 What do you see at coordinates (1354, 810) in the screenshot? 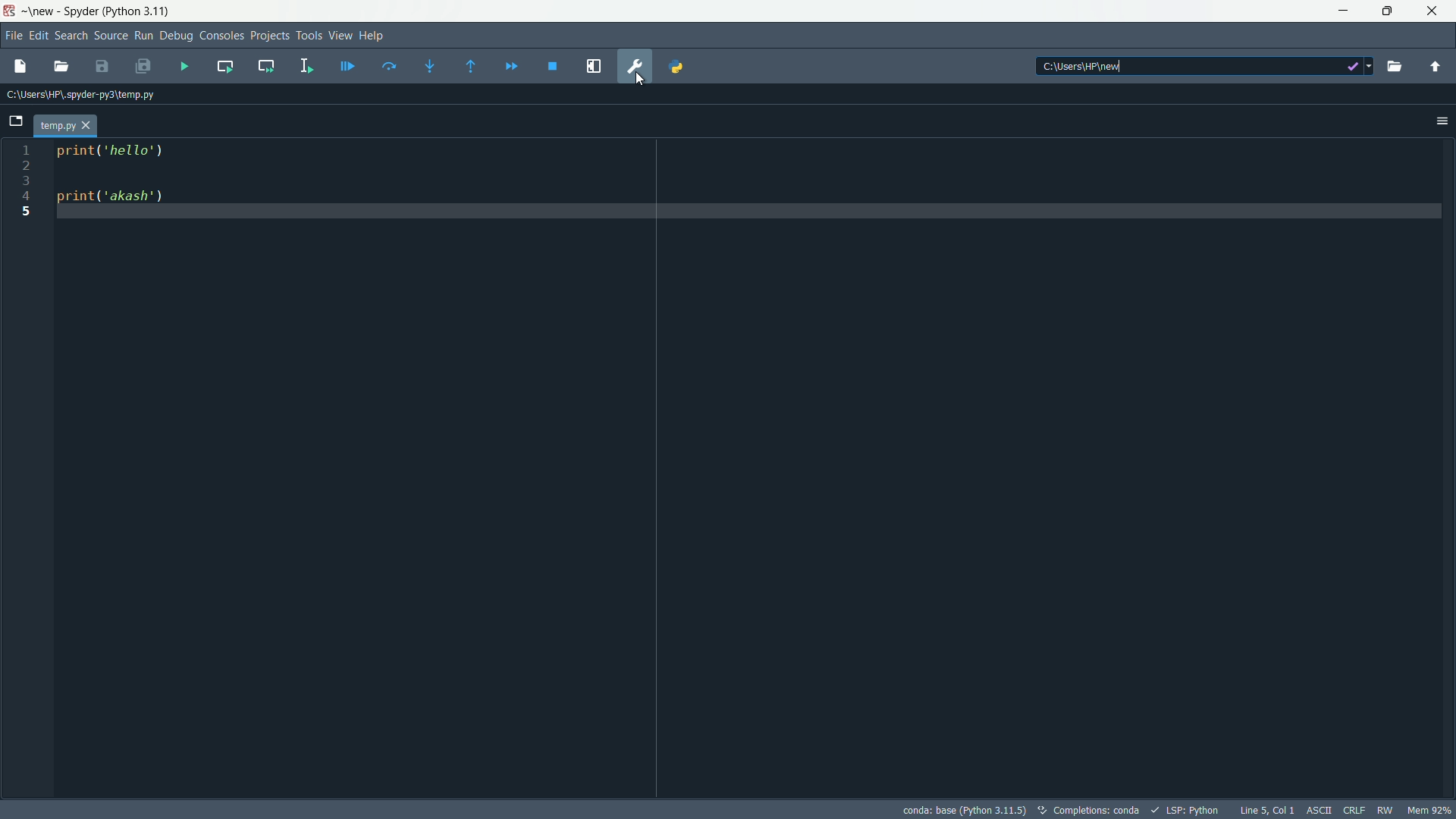
I see `CRLF` at bounding box center [1354, 810].